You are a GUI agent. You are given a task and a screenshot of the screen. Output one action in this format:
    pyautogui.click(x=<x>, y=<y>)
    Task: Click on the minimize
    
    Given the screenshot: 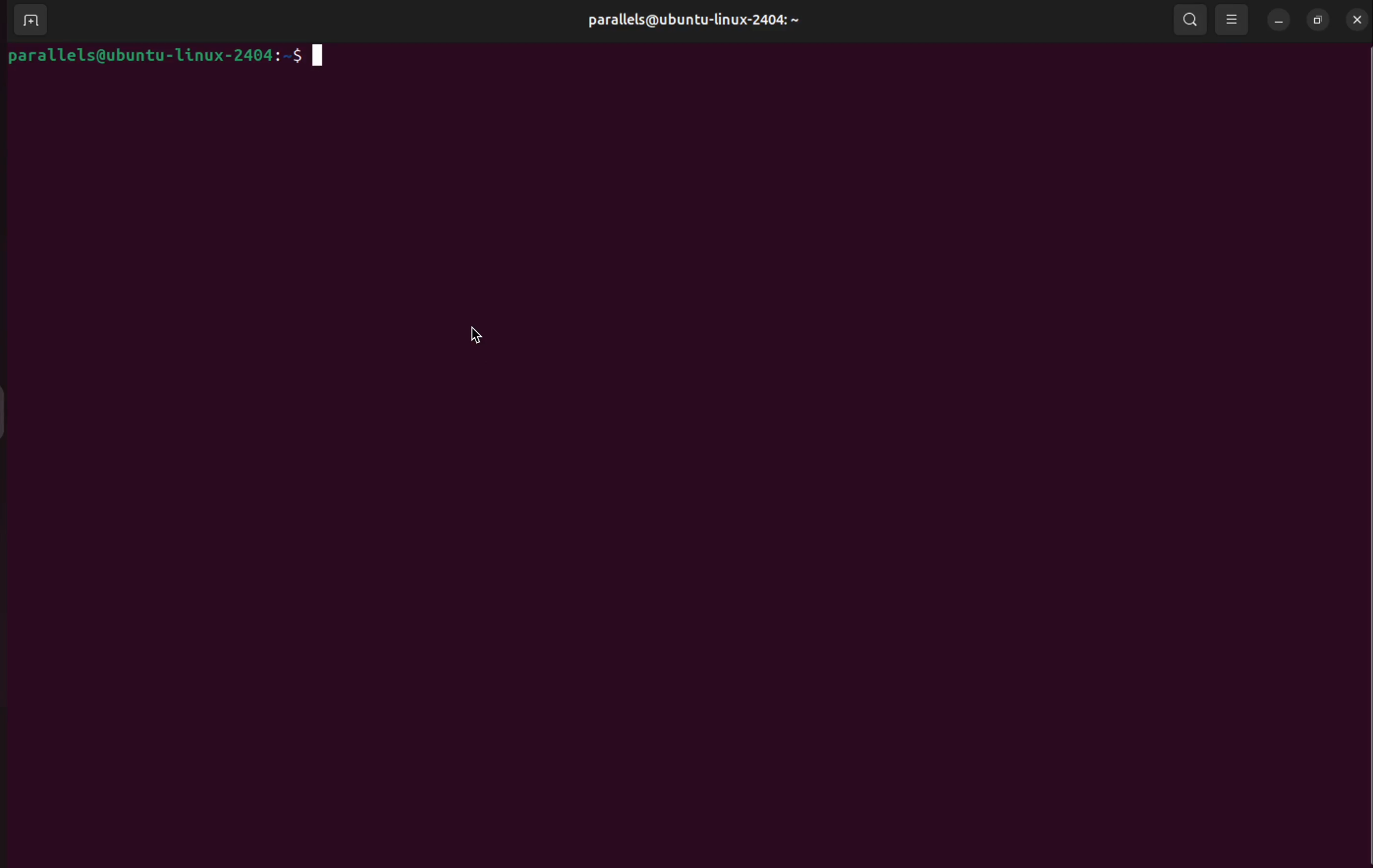 What is the action you would take?
    pyautogui.click(x=1278, y=19)
    